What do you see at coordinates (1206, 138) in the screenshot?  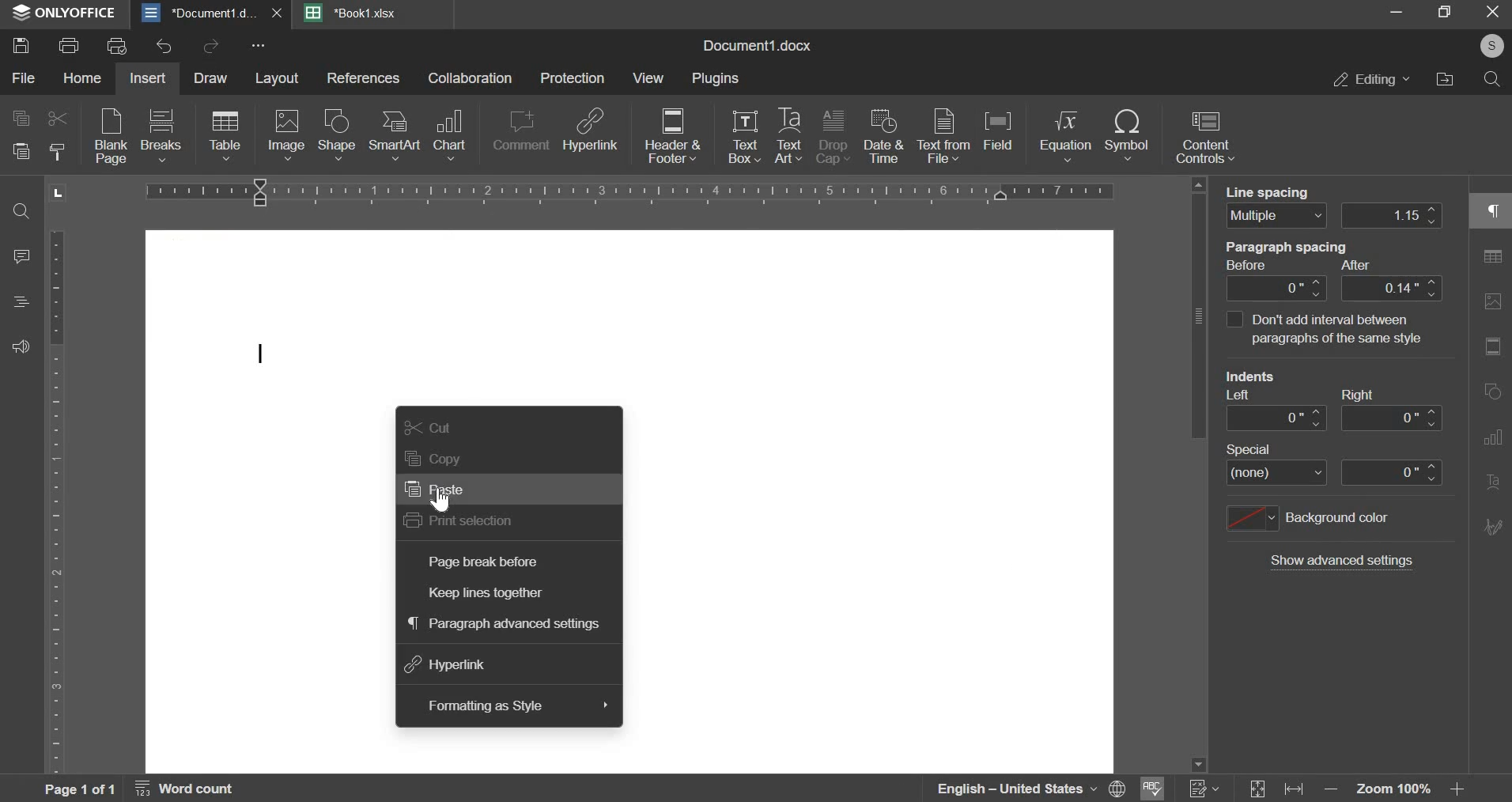 I see `content controls` at bounding box center [1206, 138].